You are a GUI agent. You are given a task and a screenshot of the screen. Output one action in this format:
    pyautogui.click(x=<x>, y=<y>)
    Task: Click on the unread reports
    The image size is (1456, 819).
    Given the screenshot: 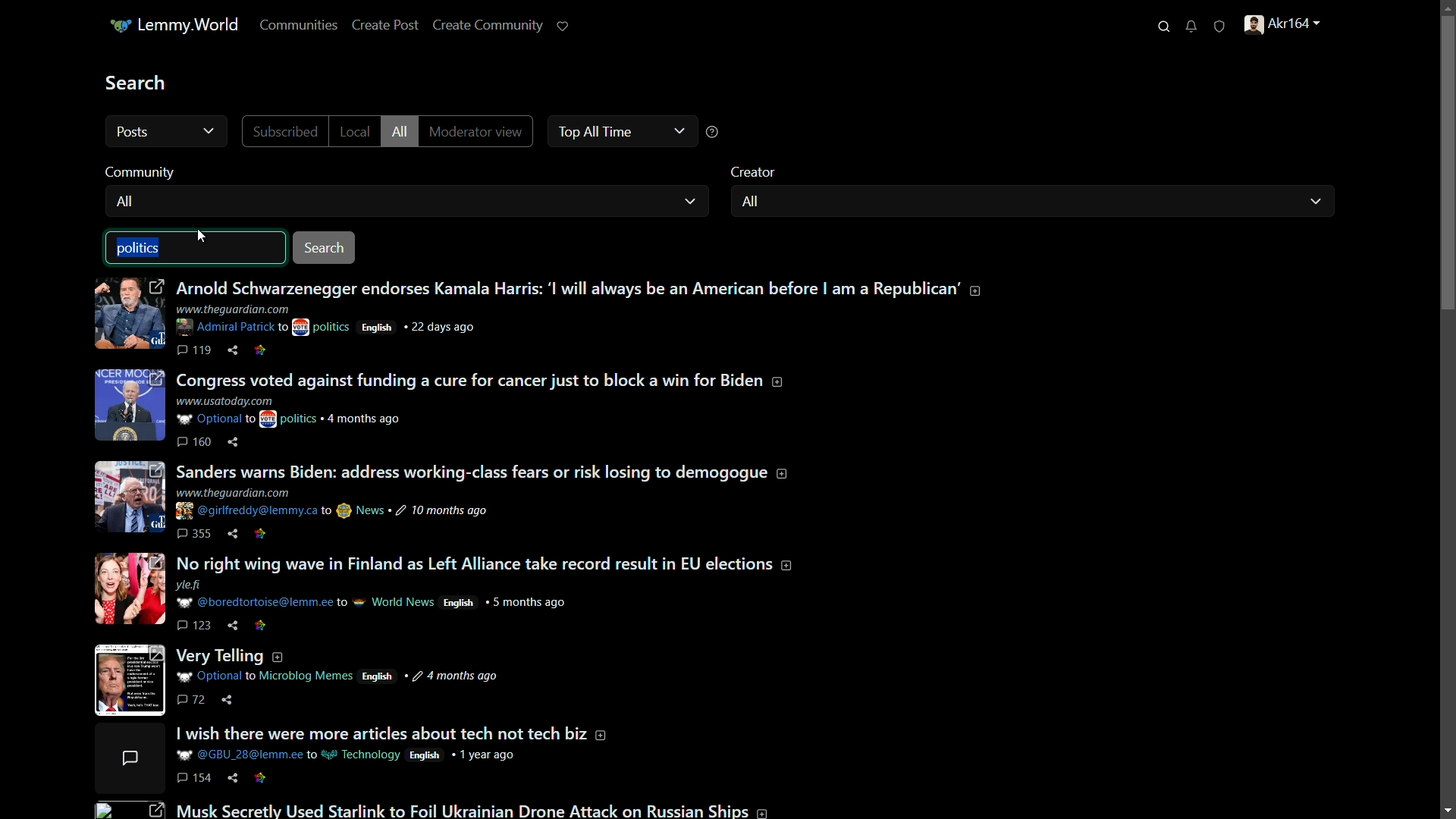 What is the action you would take?
    pyautogui.click(x=1219, y=27)
    